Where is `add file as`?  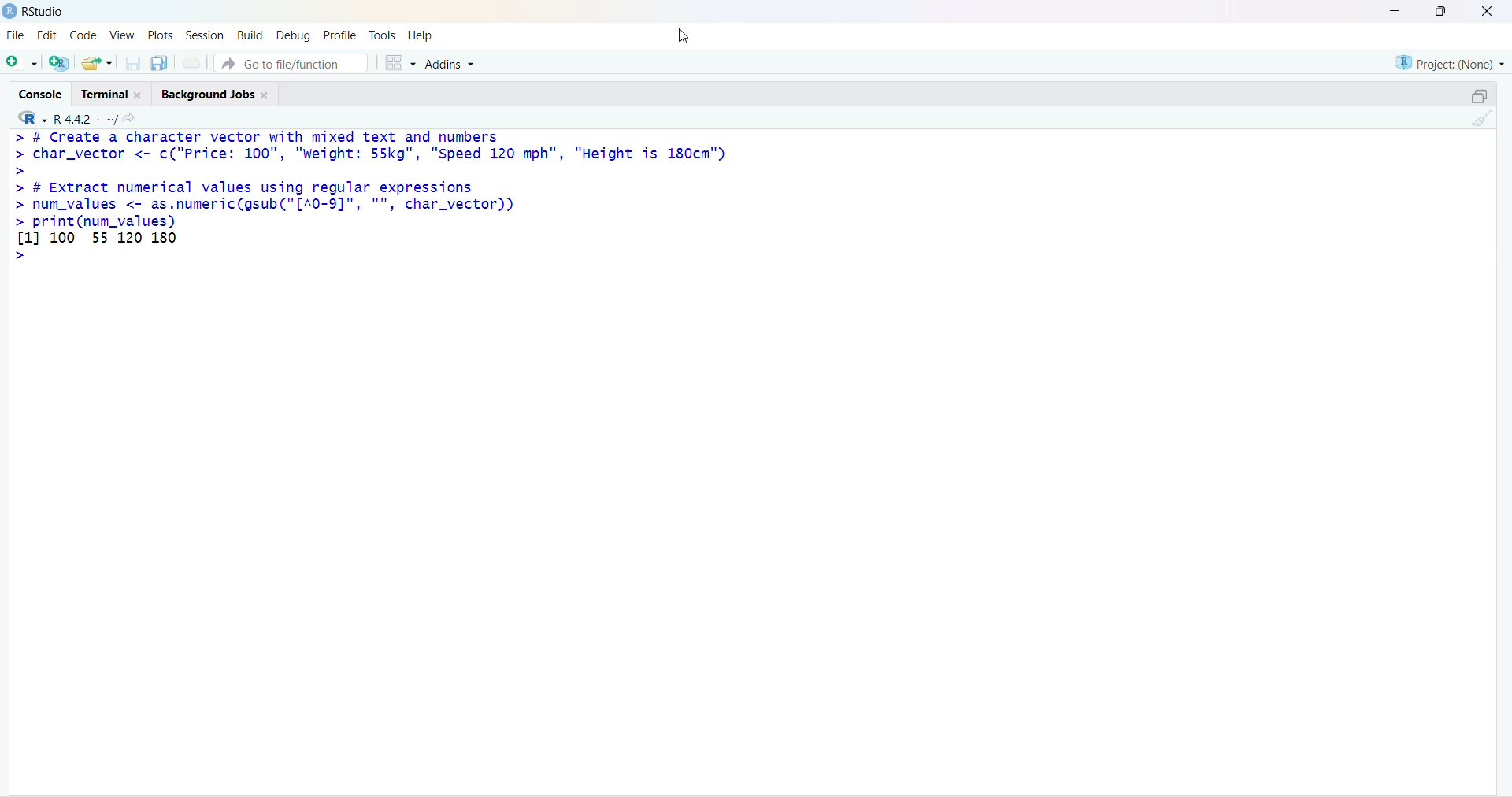
add file as is located at coordinates (22, 64).